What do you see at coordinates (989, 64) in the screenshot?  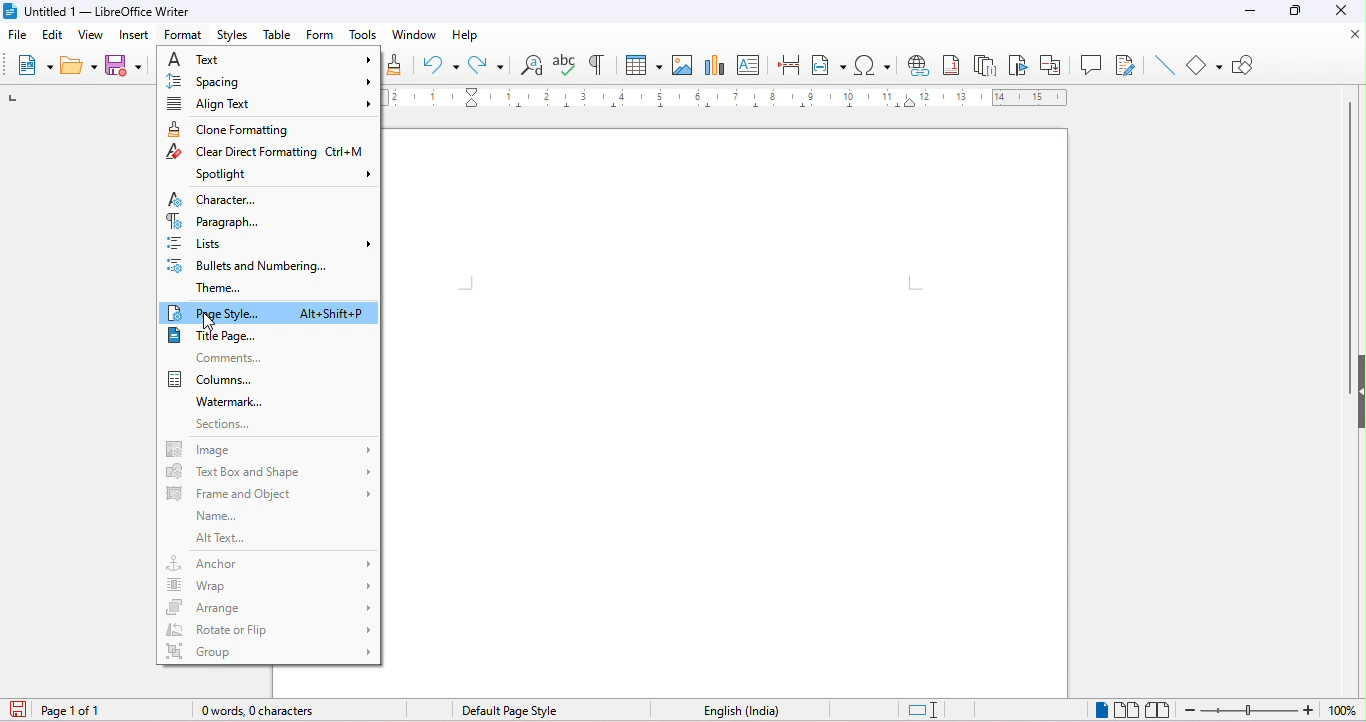 I see `endnote` at bounding box center [989, 64].